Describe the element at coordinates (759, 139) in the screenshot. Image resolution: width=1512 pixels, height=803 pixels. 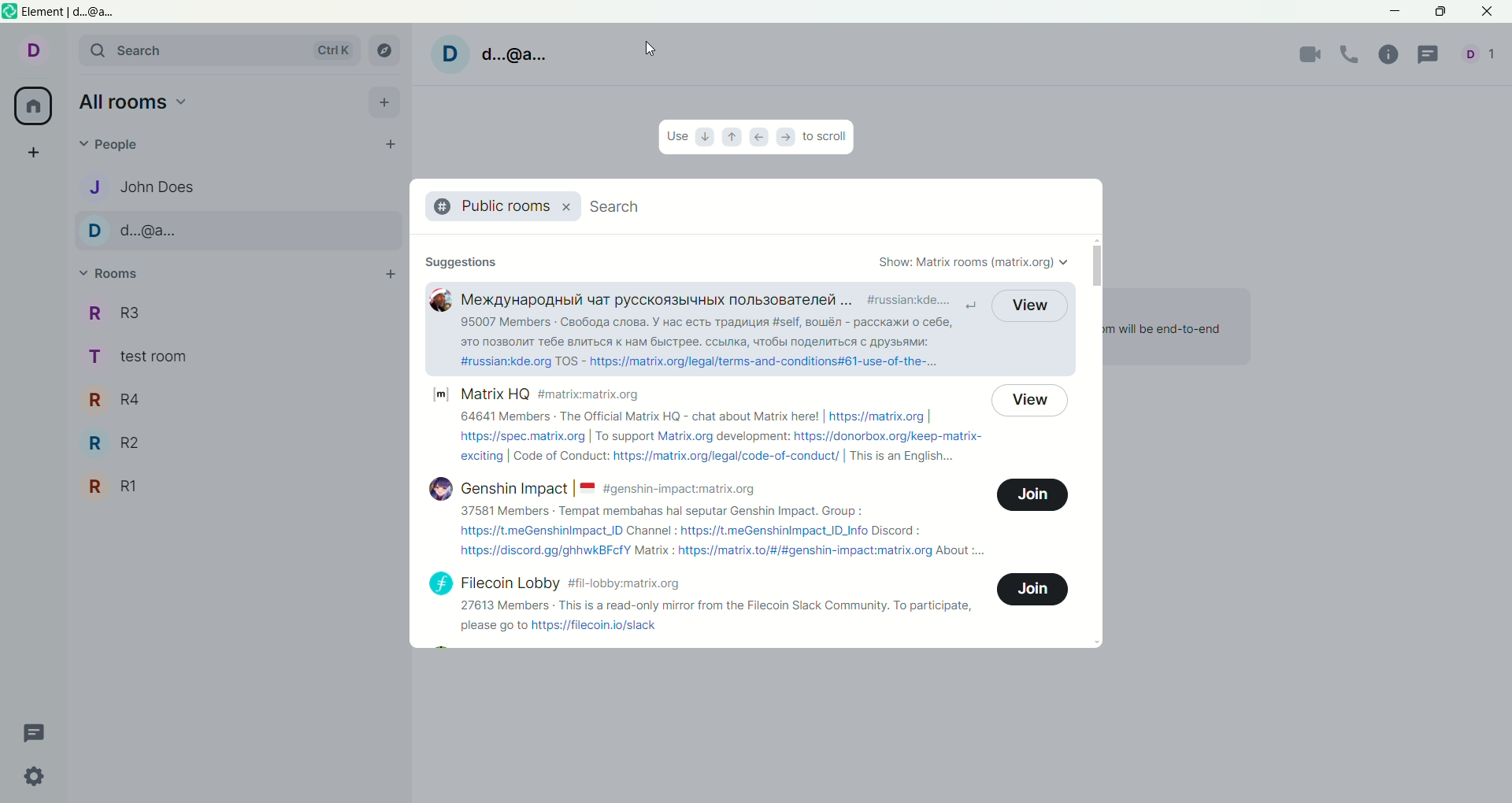
I see `left arrow` at that location.